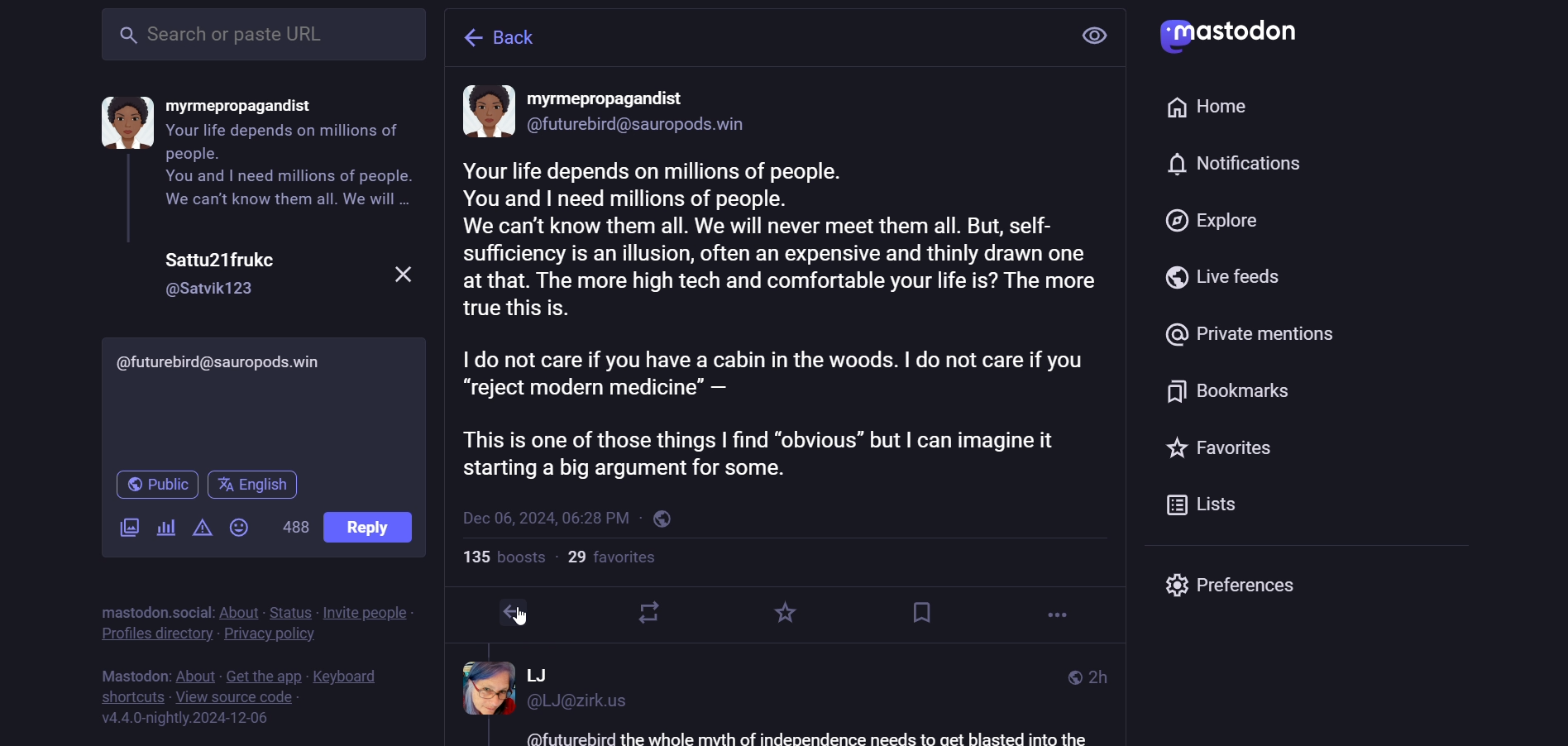 This screenshot has width=1568, height=746. I want to click on content warning, so click(200, 525).